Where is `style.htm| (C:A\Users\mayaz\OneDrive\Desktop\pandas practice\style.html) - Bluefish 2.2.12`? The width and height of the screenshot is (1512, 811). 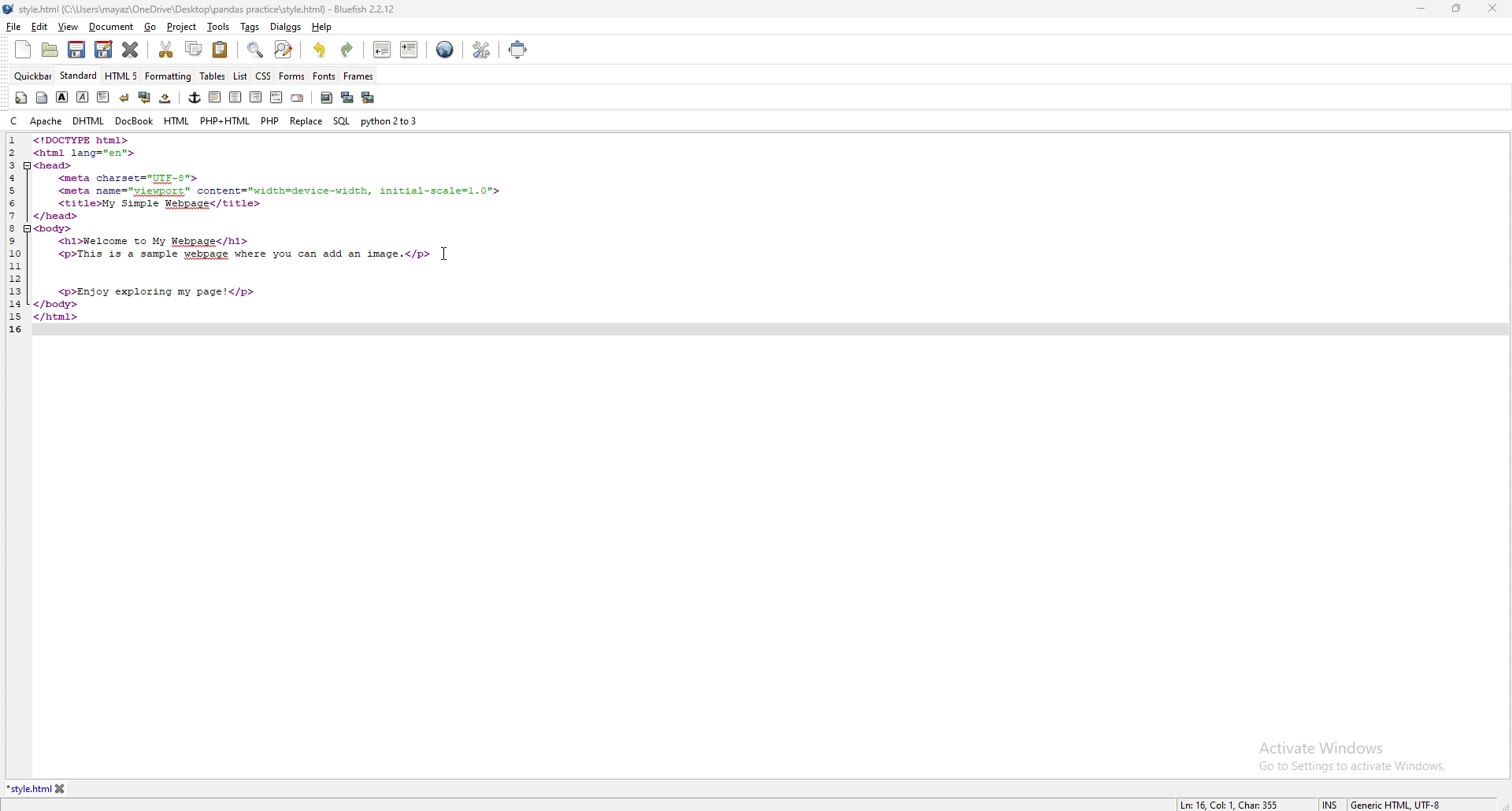 style.htm| (C:A\Users\mayaz\OneDrive\Desktop\pandas practice\style.html) - Bluefish 2.2.12 is located at coordinates (209, 9).